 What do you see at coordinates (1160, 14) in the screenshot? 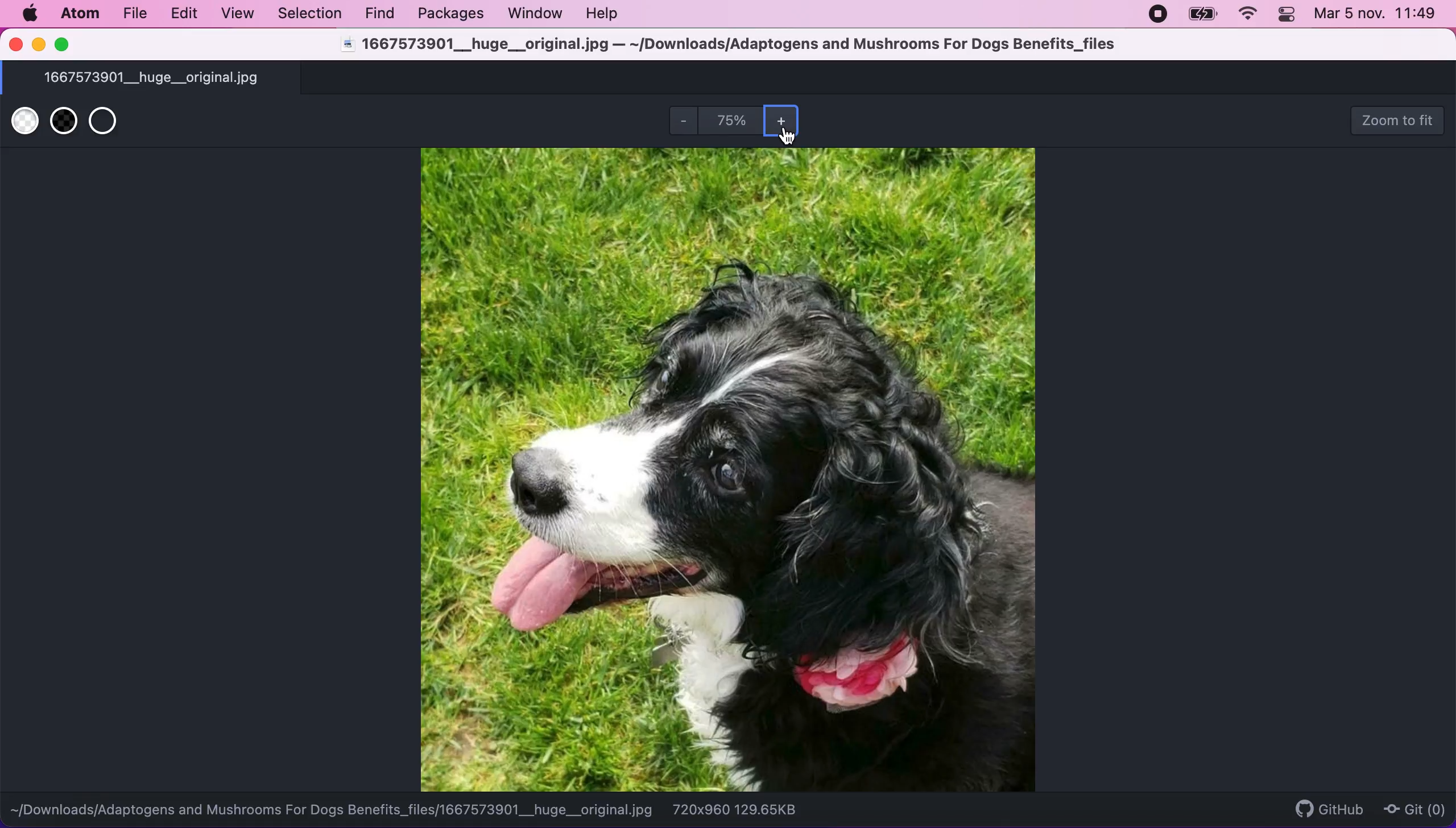
I see `recording stopped` at bounding box center [1160, 14].